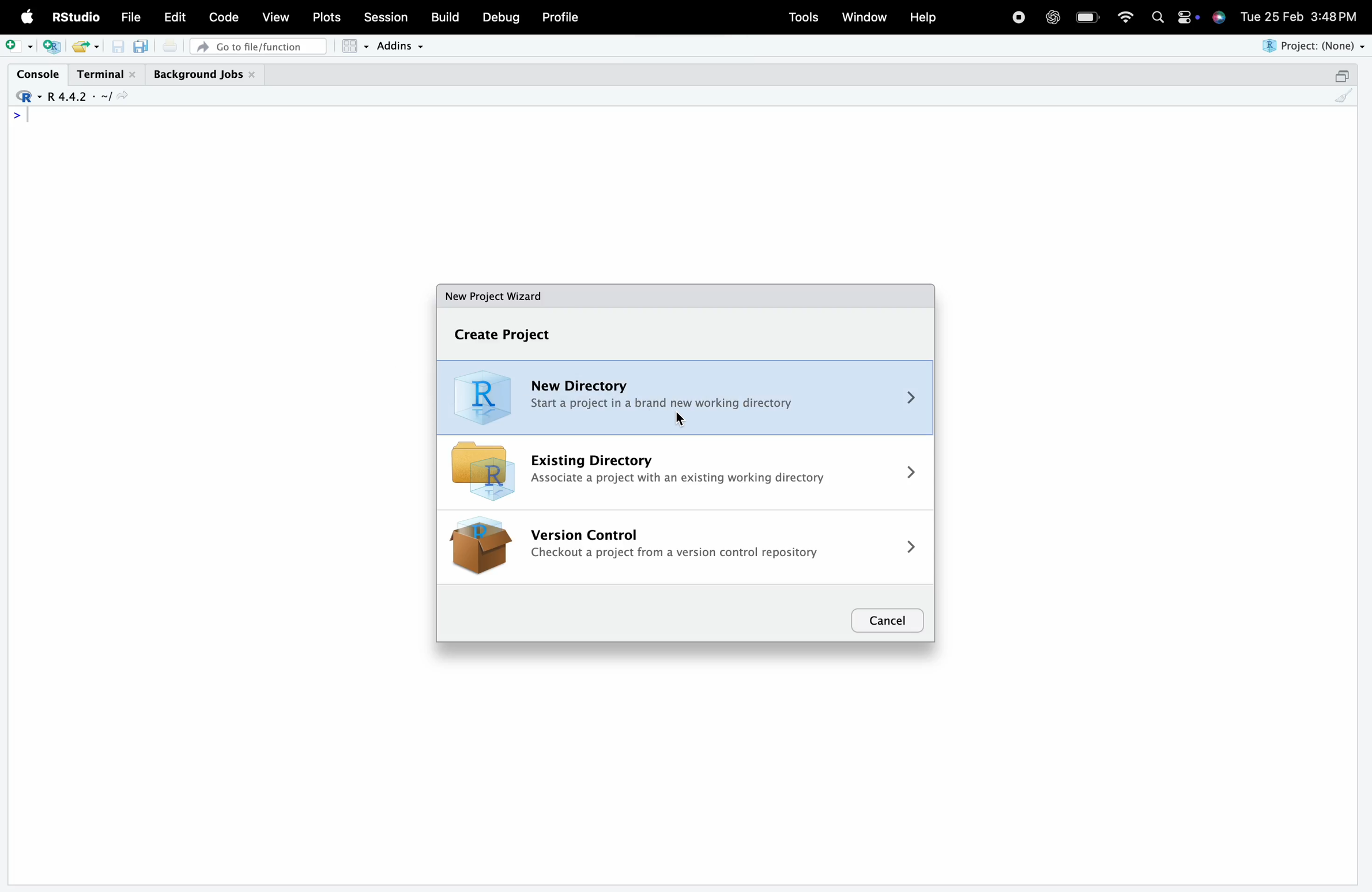 This screenshot has height=892, width=1372. I want to click on Edit, so click(175, 17).